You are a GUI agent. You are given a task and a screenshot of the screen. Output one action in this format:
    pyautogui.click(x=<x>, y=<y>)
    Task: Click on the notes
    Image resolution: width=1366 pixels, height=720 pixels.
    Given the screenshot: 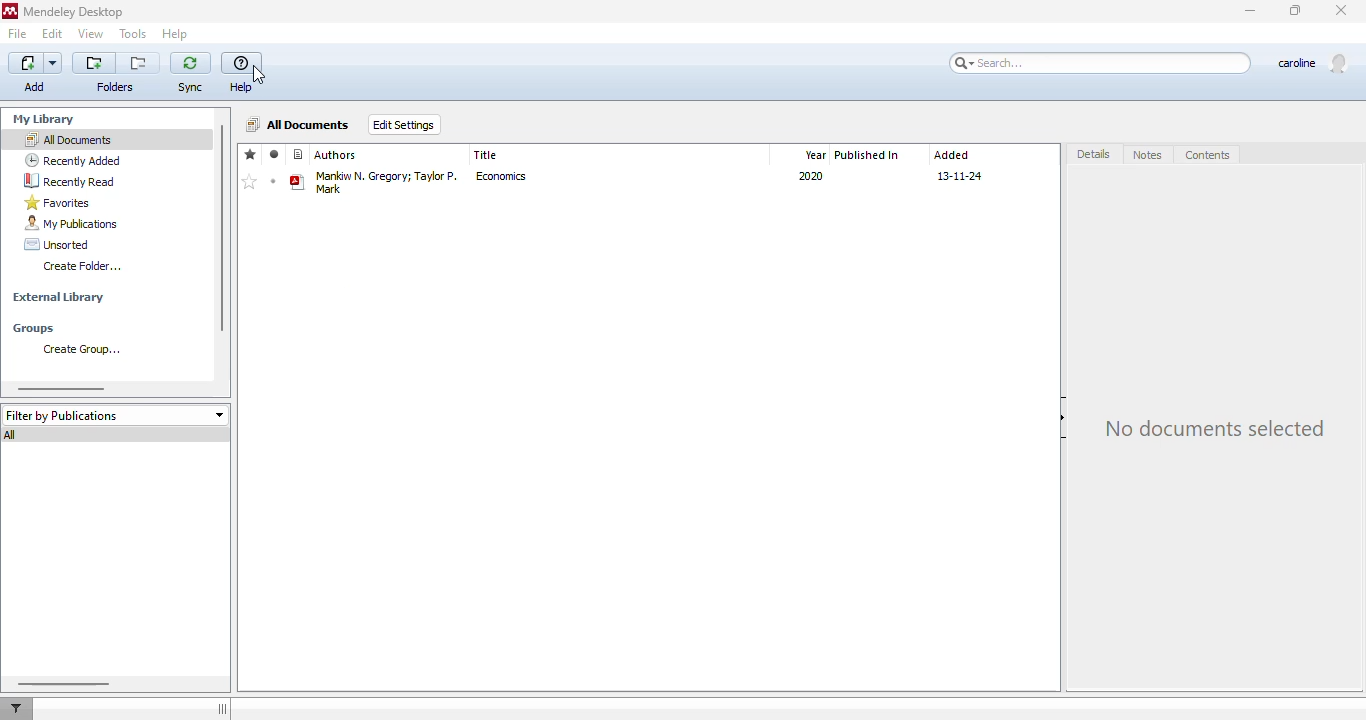 What is the action you would take?
    pyautogui.click(x=1146, y=154)
    